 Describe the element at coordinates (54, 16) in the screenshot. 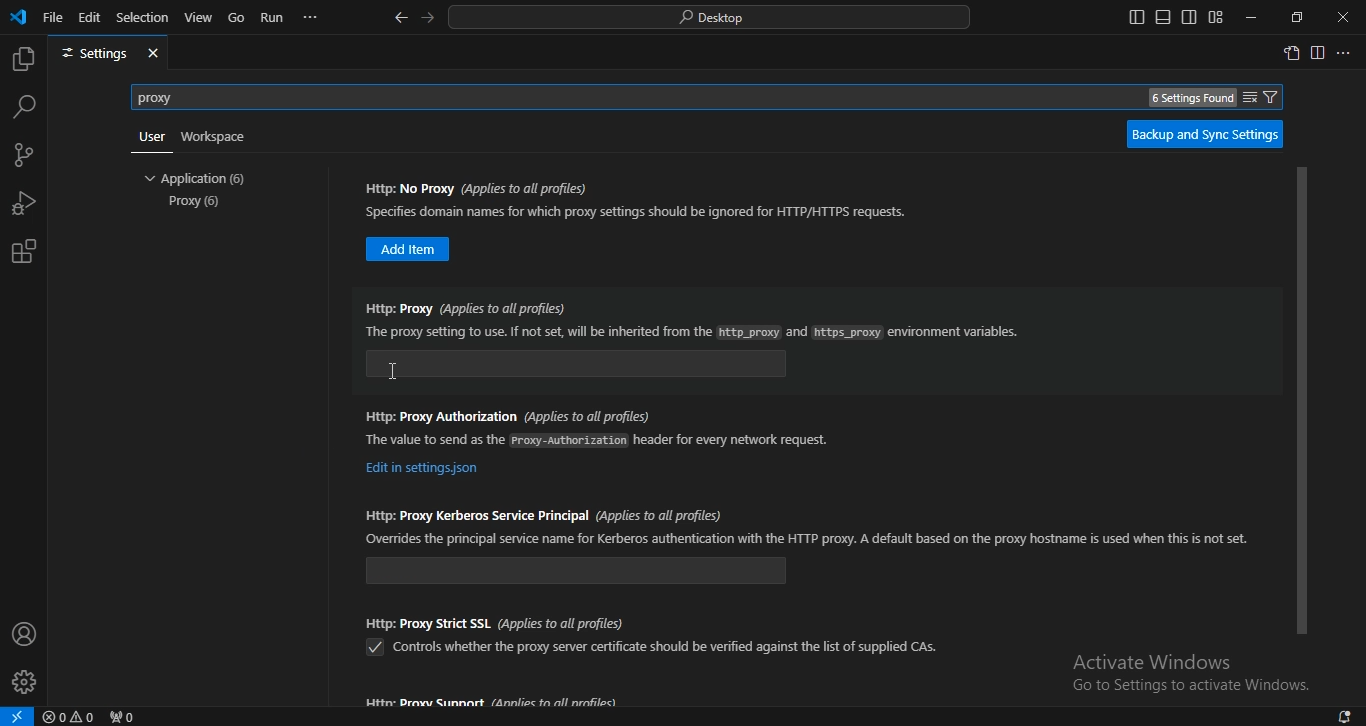

I see `file` at that location.